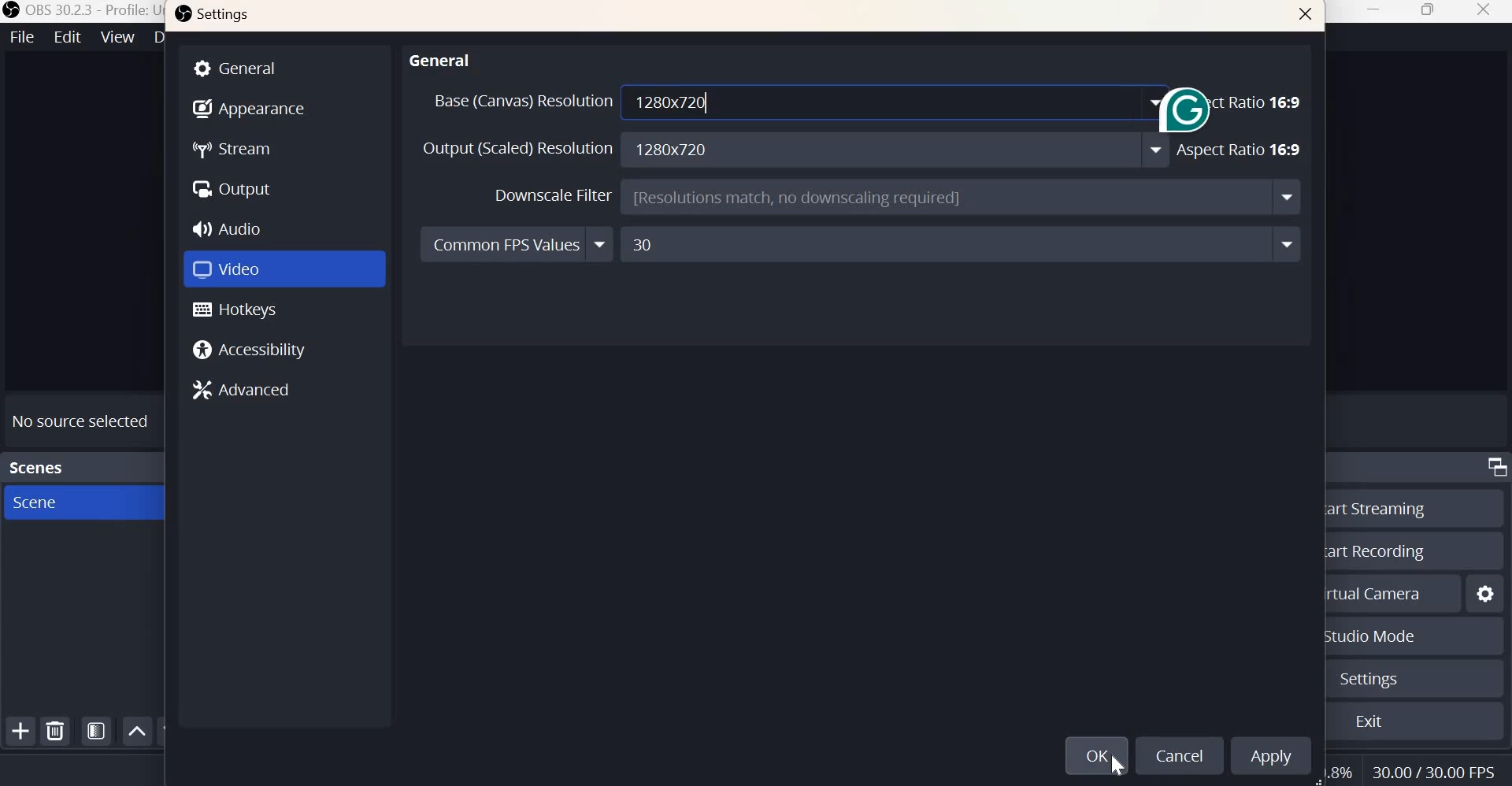 The width and height of the screenshot is (1512, 786). Describe the element at coordinates (232, 187) in the screenshot. I see `Output` at that location.